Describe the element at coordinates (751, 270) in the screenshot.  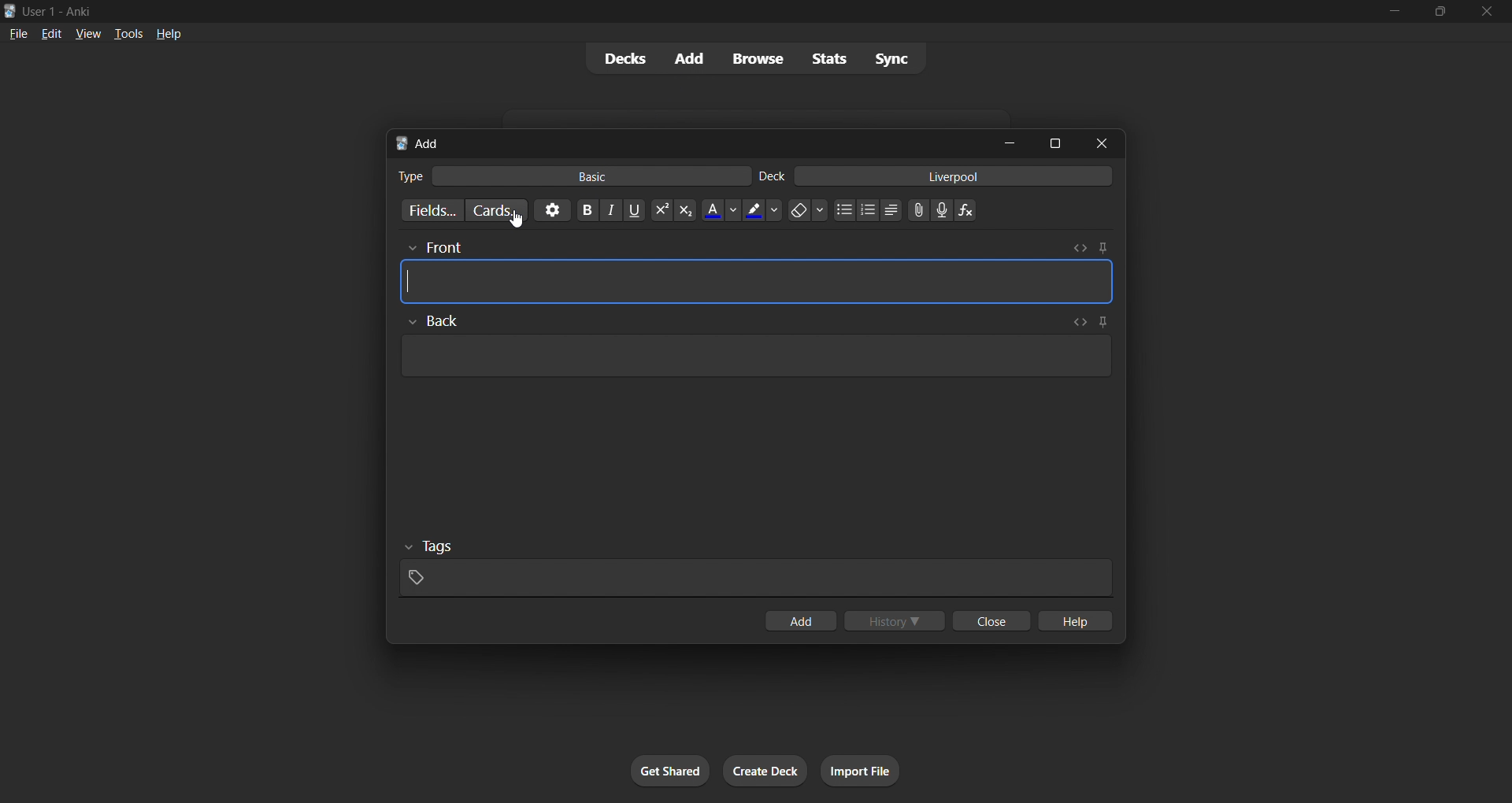
I see `card front input box` at that location.